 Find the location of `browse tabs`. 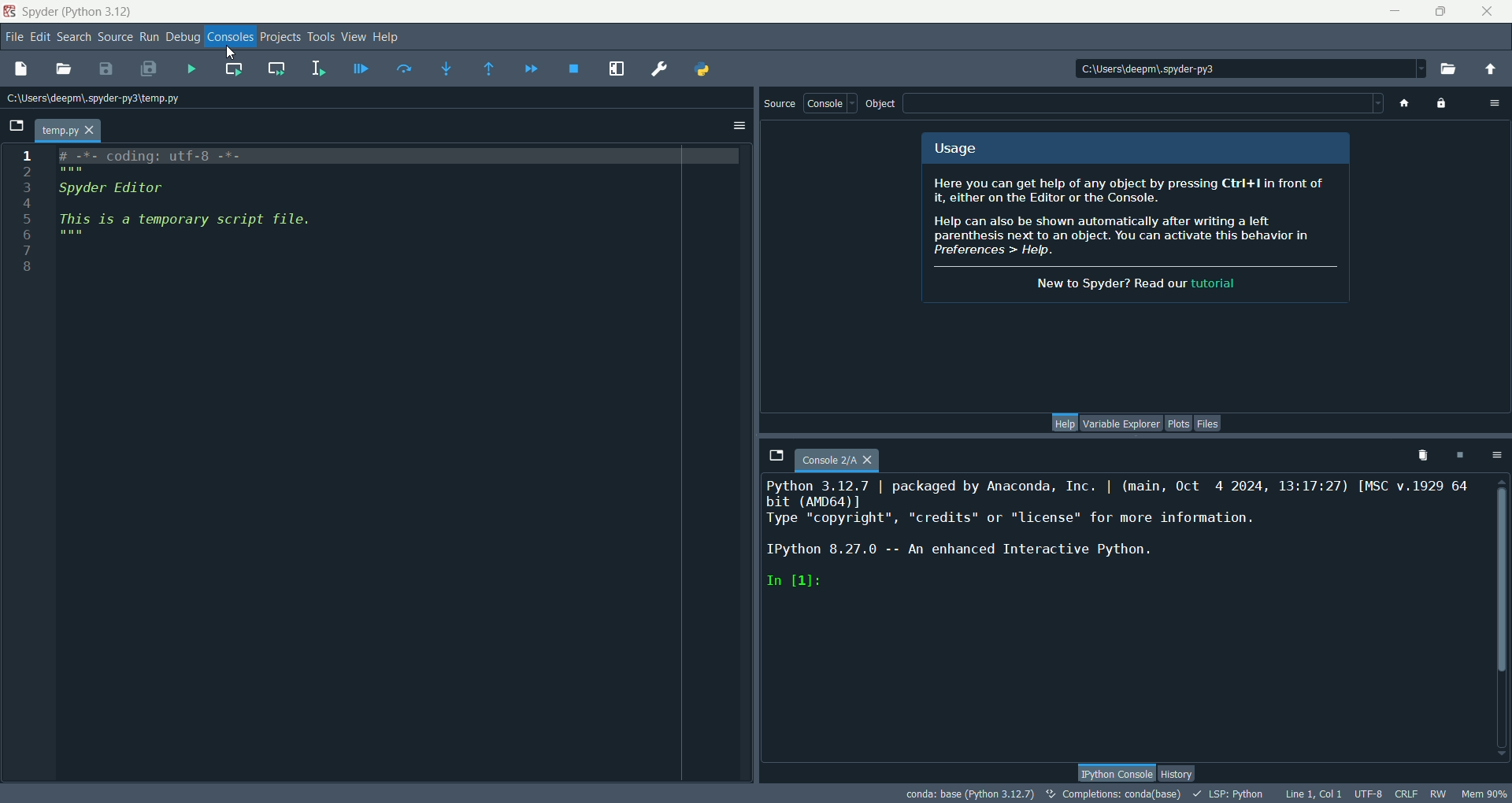

browse tabs is located at coordinates (17, 127).